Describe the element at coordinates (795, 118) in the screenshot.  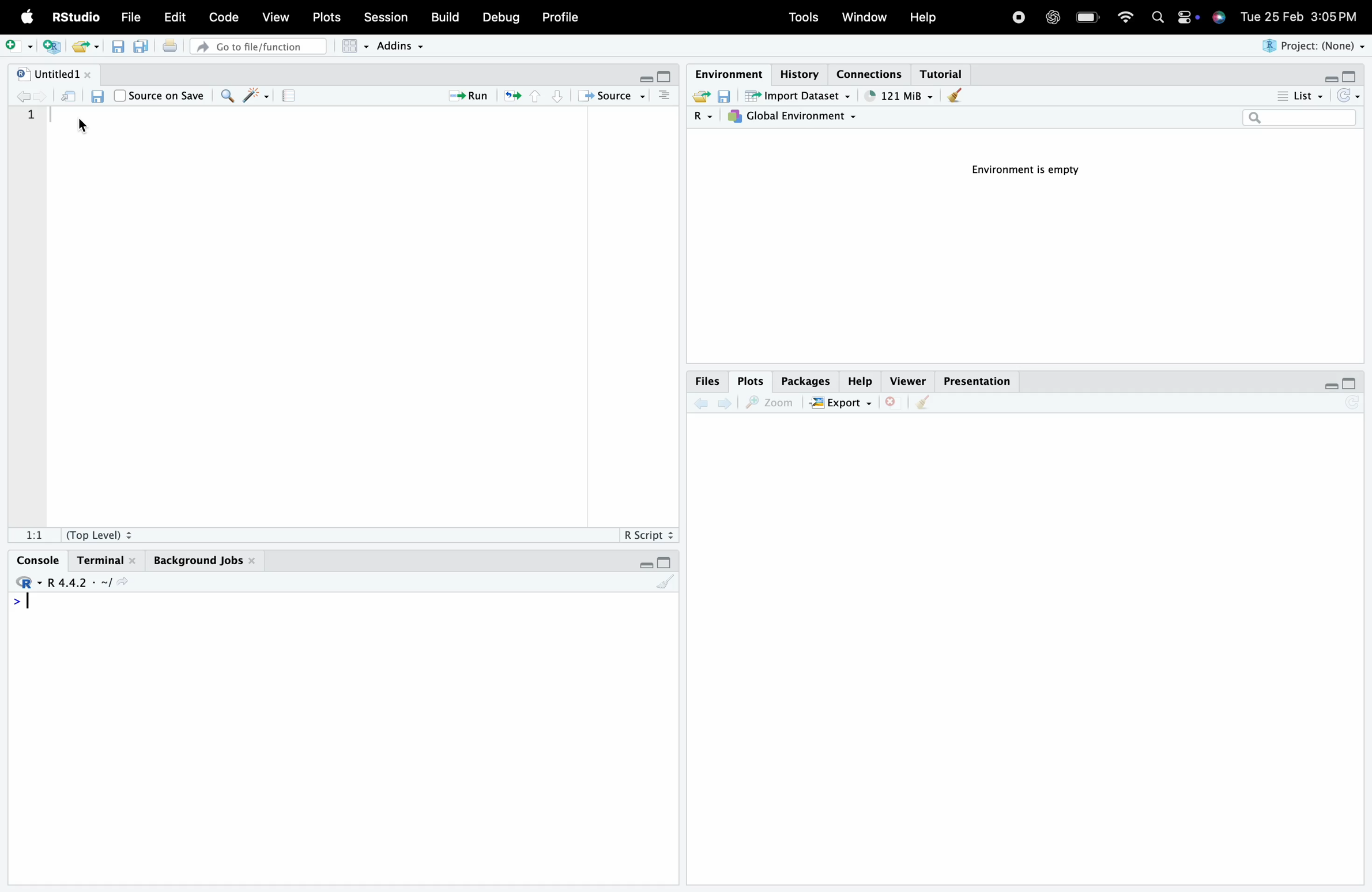
I see `Global Environment` at that location.